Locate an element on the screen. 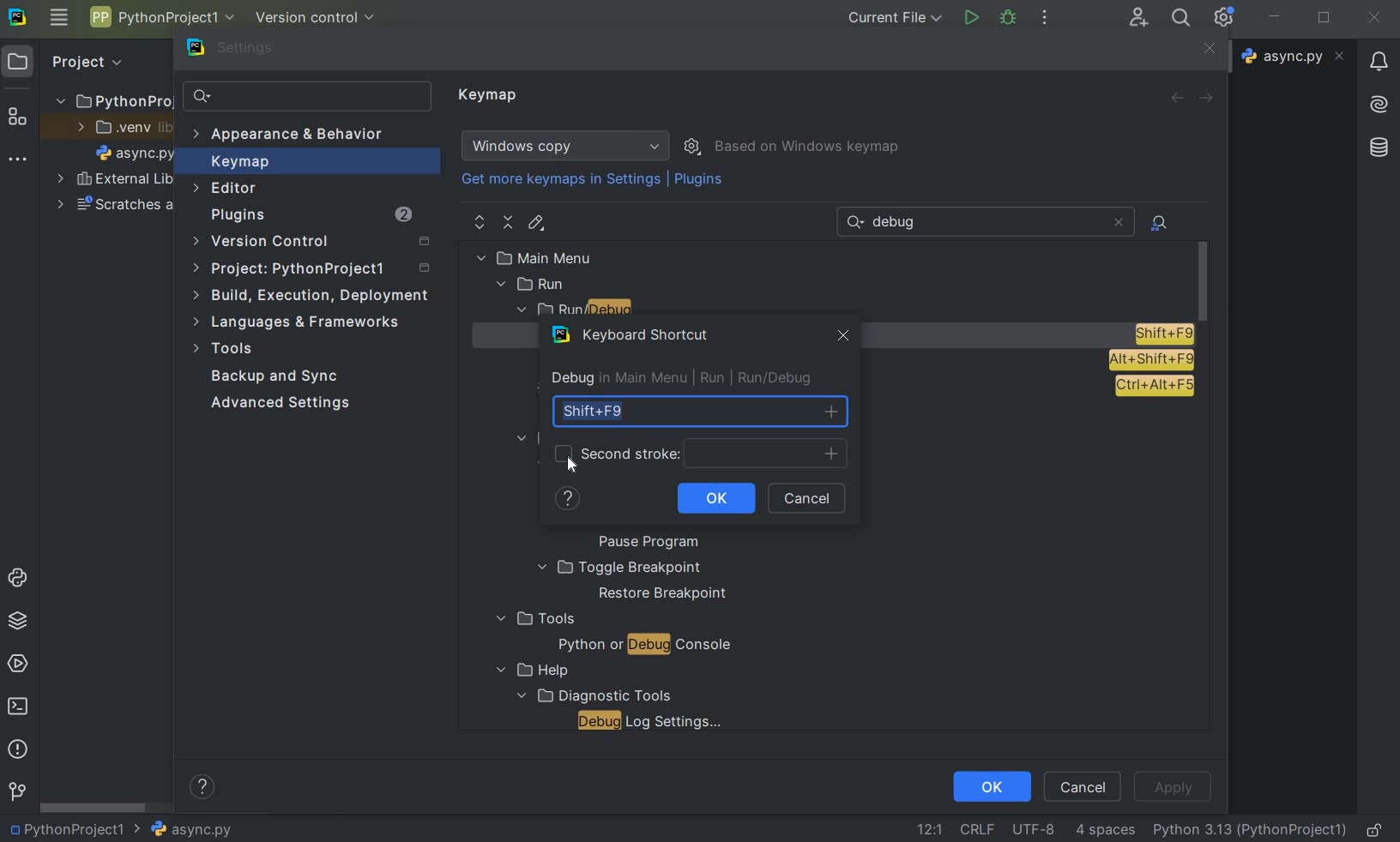 The width and height of the screenshot is (1400, 842). collapse all is located at coordinates (509, 223).